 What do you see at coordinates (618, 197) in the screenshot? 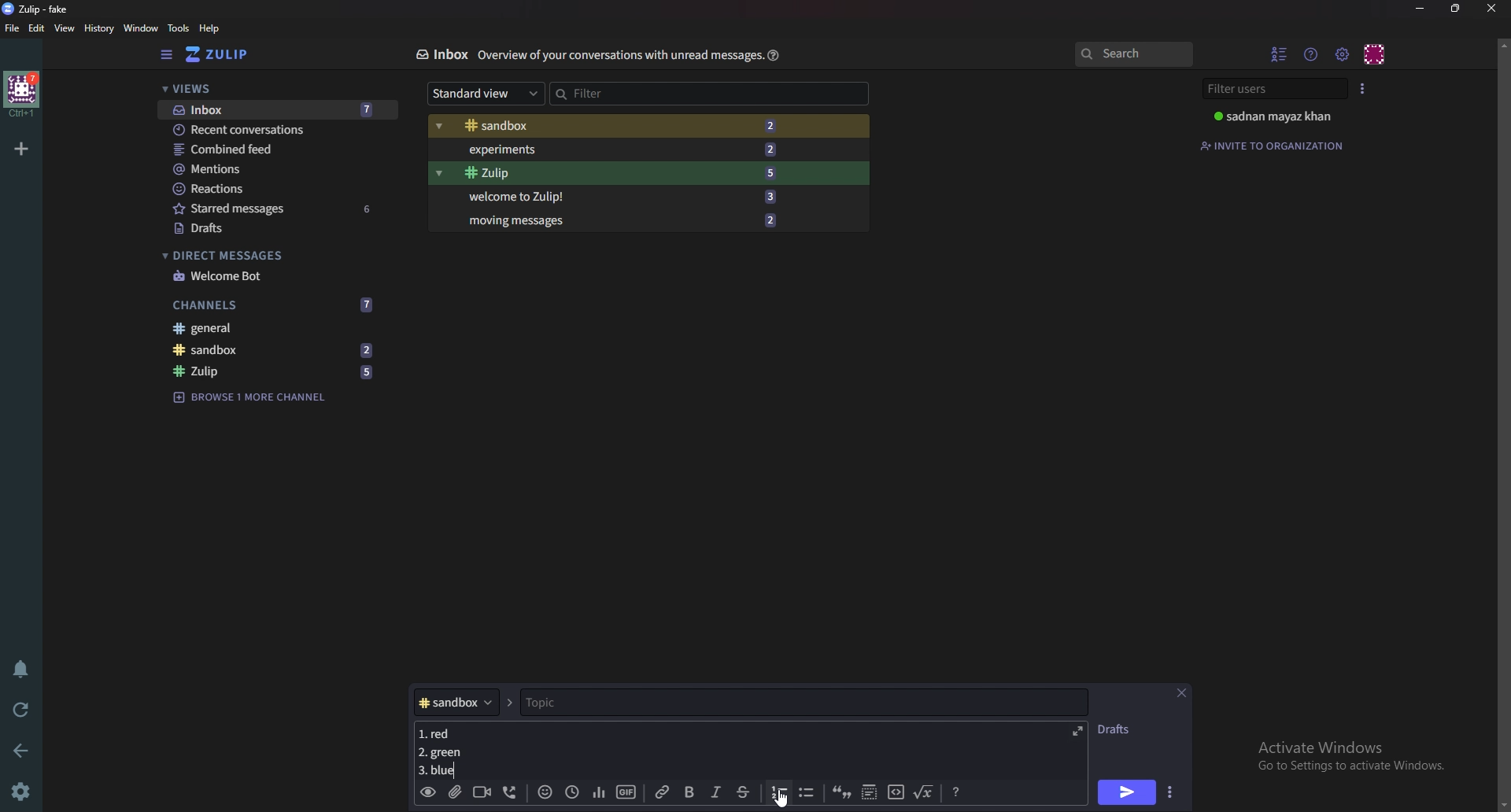
I see `Welcome to Zulip` at bounding box center [618, 197].